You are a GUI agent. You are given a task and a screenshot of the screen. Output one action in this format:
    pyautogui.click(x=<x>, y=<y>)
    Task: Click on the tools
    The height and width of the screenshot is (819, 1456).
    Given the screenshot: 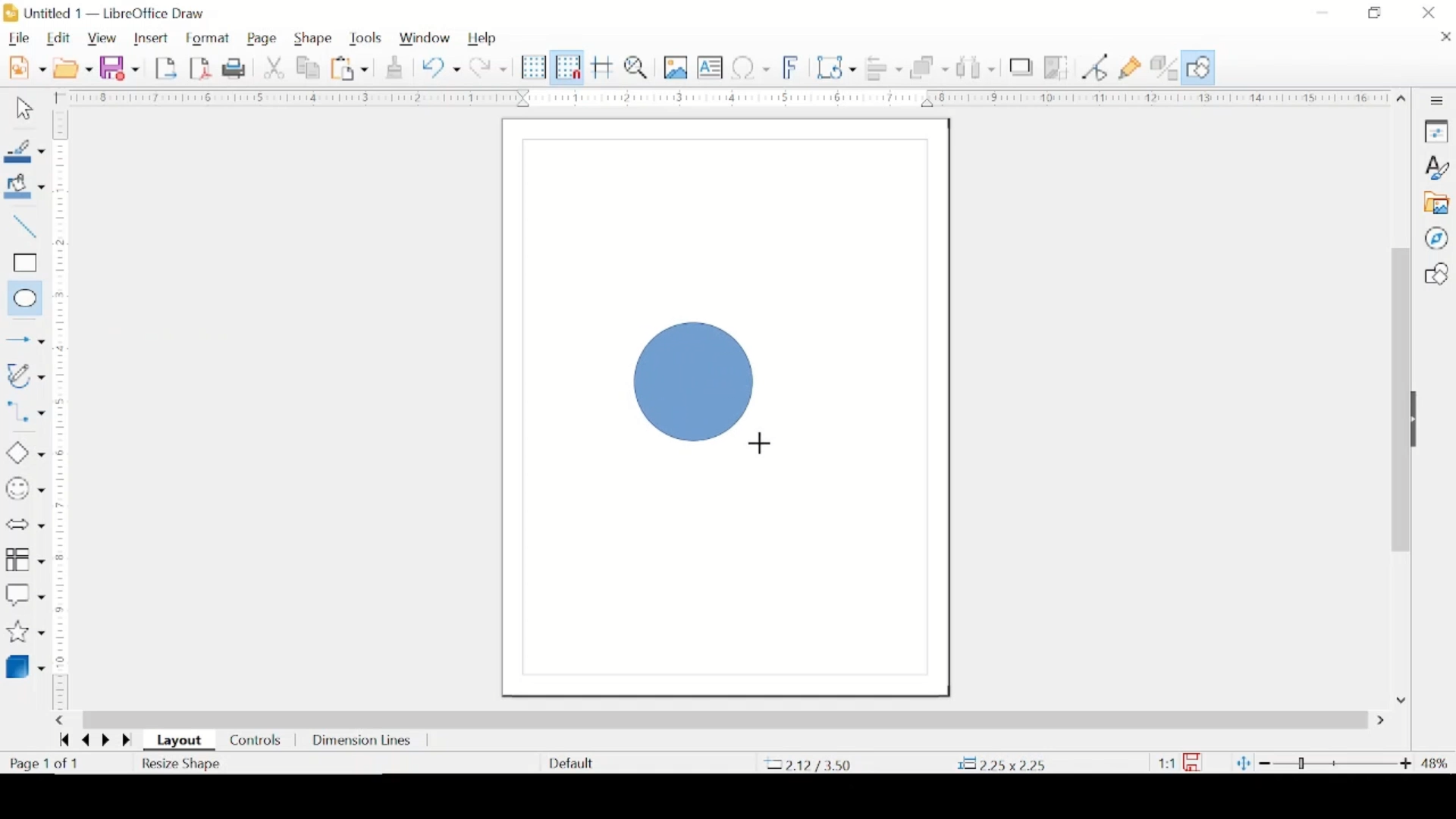 What is the action you would take?
    pyautogui.click(x=366, y=39)
    